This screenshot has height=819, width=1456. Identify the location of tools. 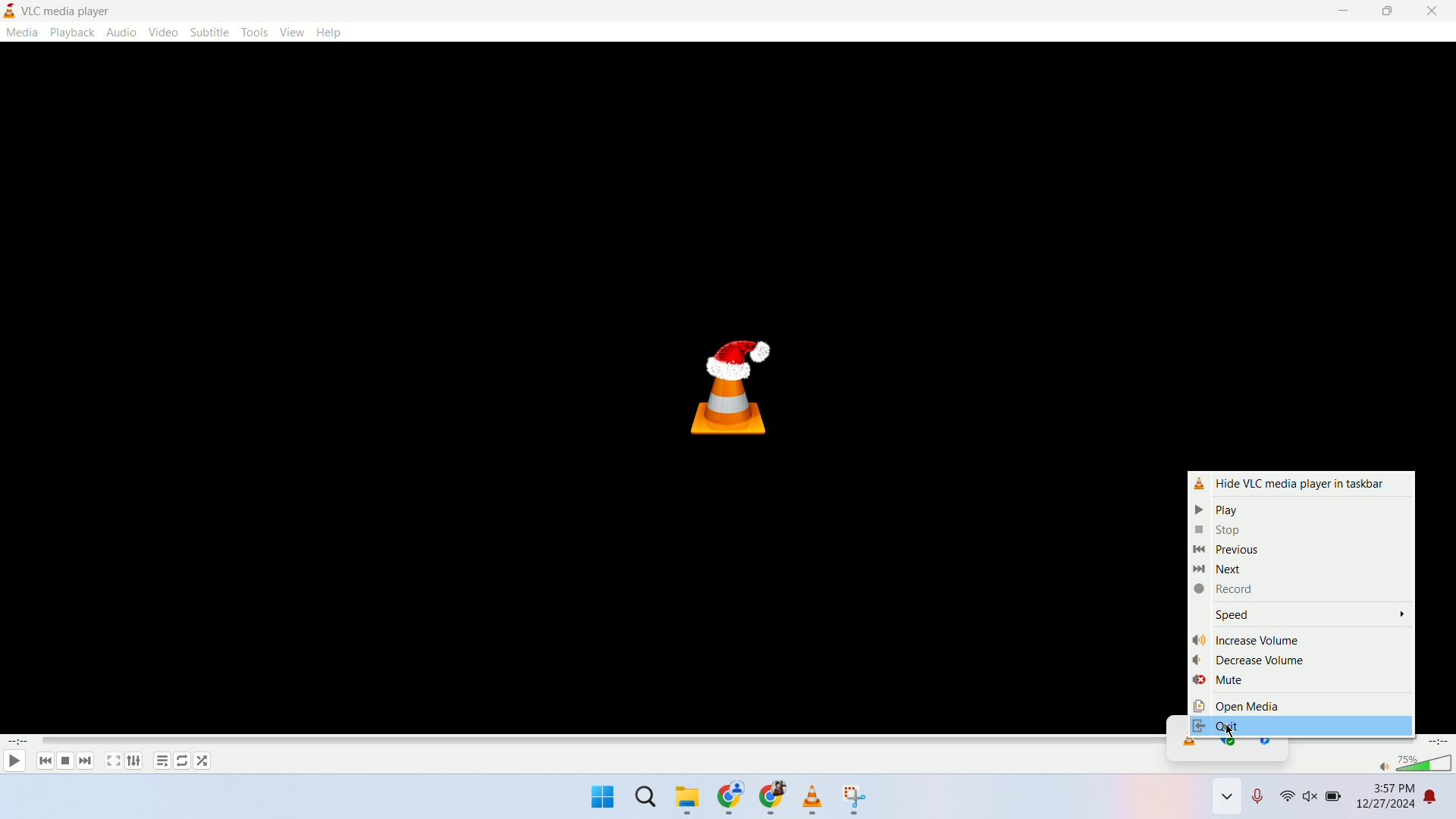
(257, 32).